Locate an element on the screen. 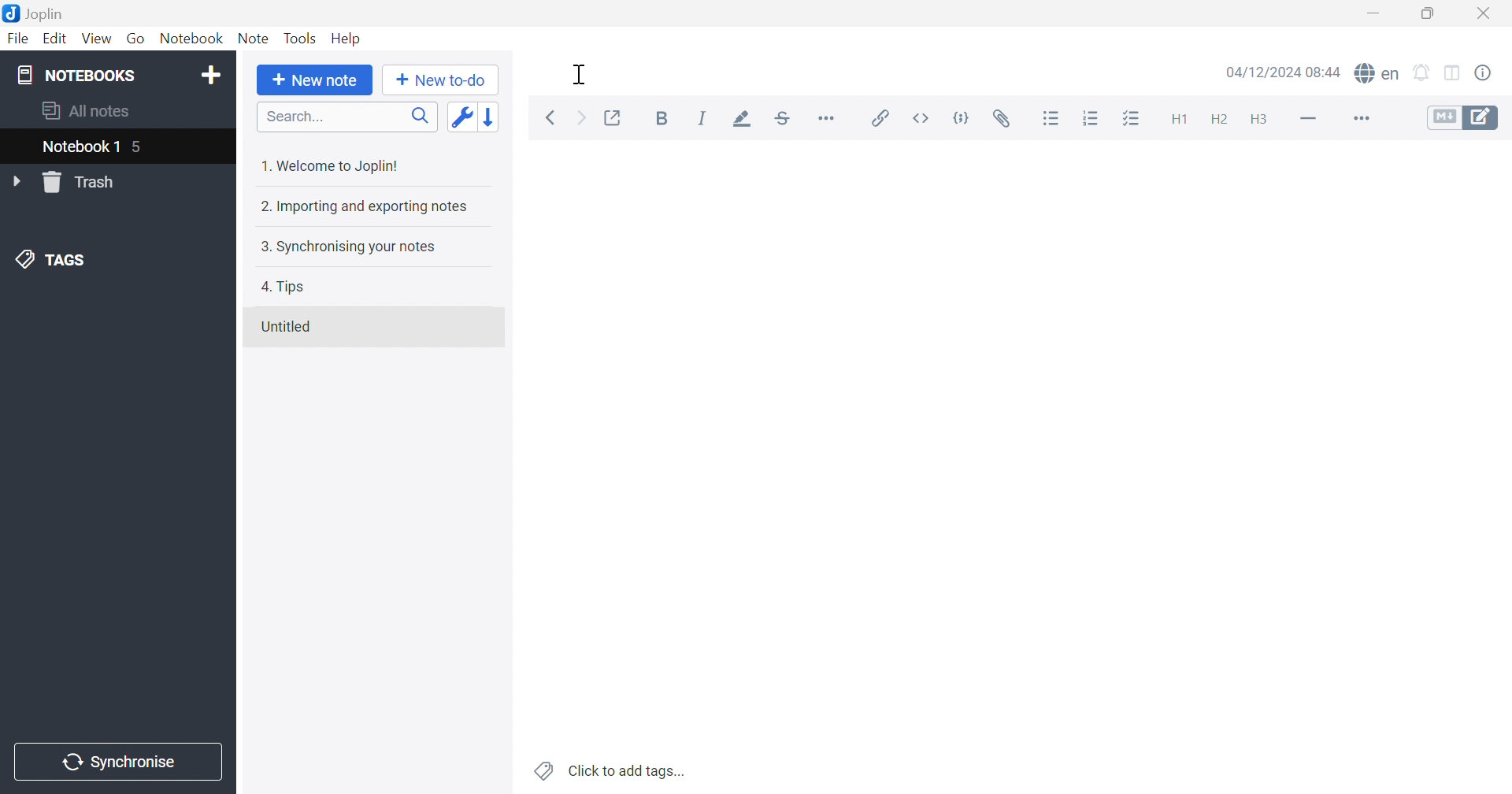  Note is located at coordinates (254, 39).